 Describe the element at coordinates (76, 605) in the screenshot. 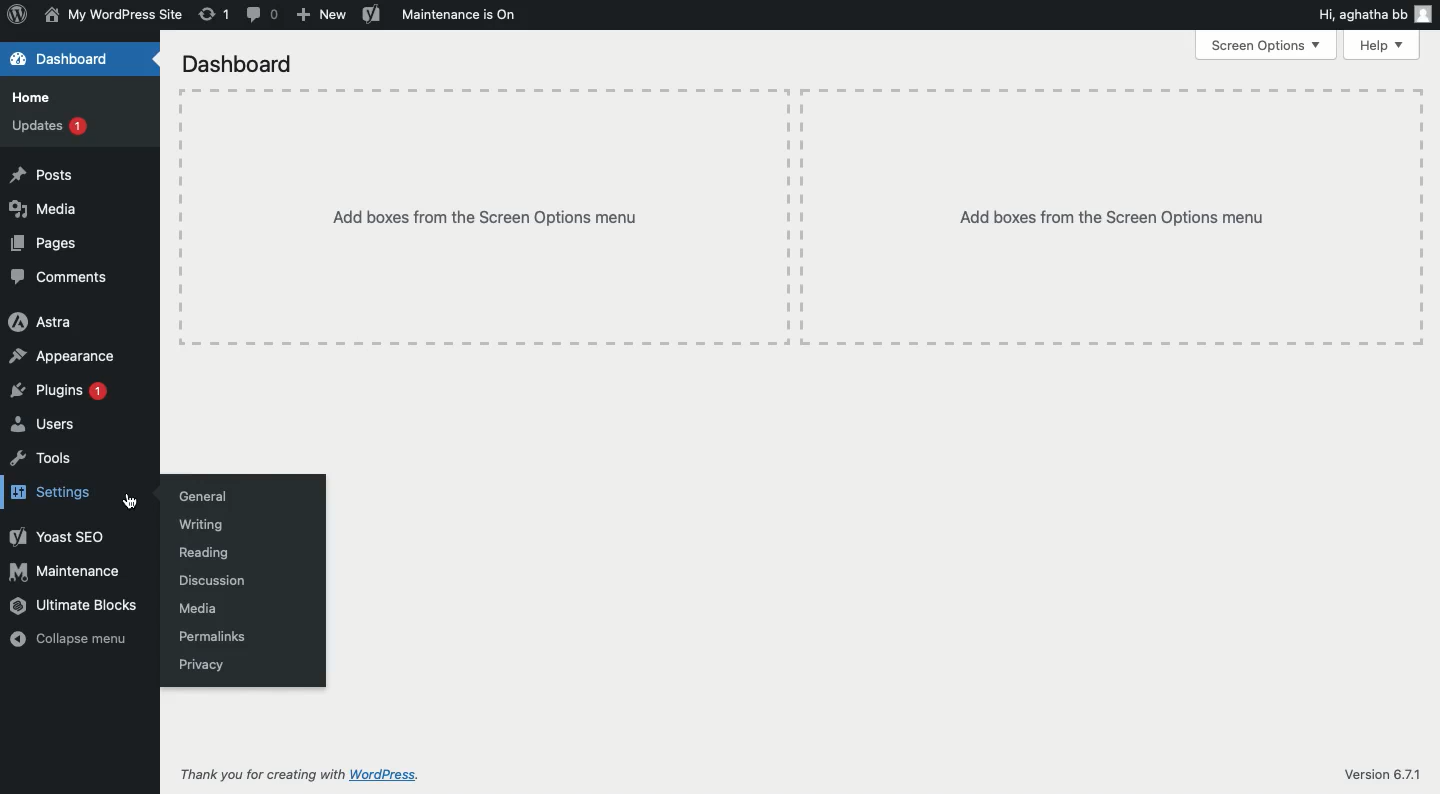

I see `Ultimate blocks` at that location.